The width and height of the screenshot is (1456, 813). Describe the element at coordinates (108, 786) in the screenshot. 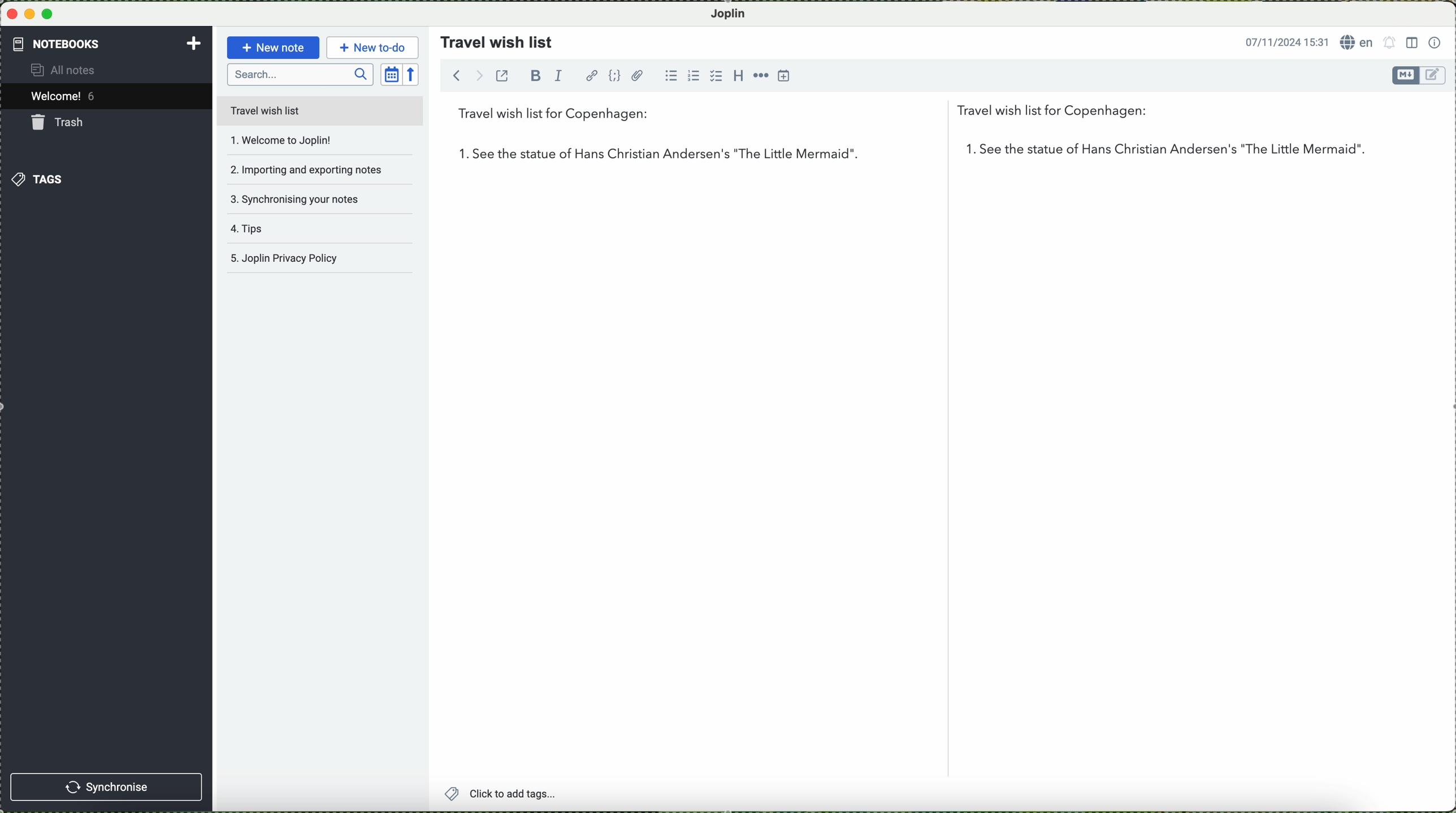

I see `synchronise button` at that location.